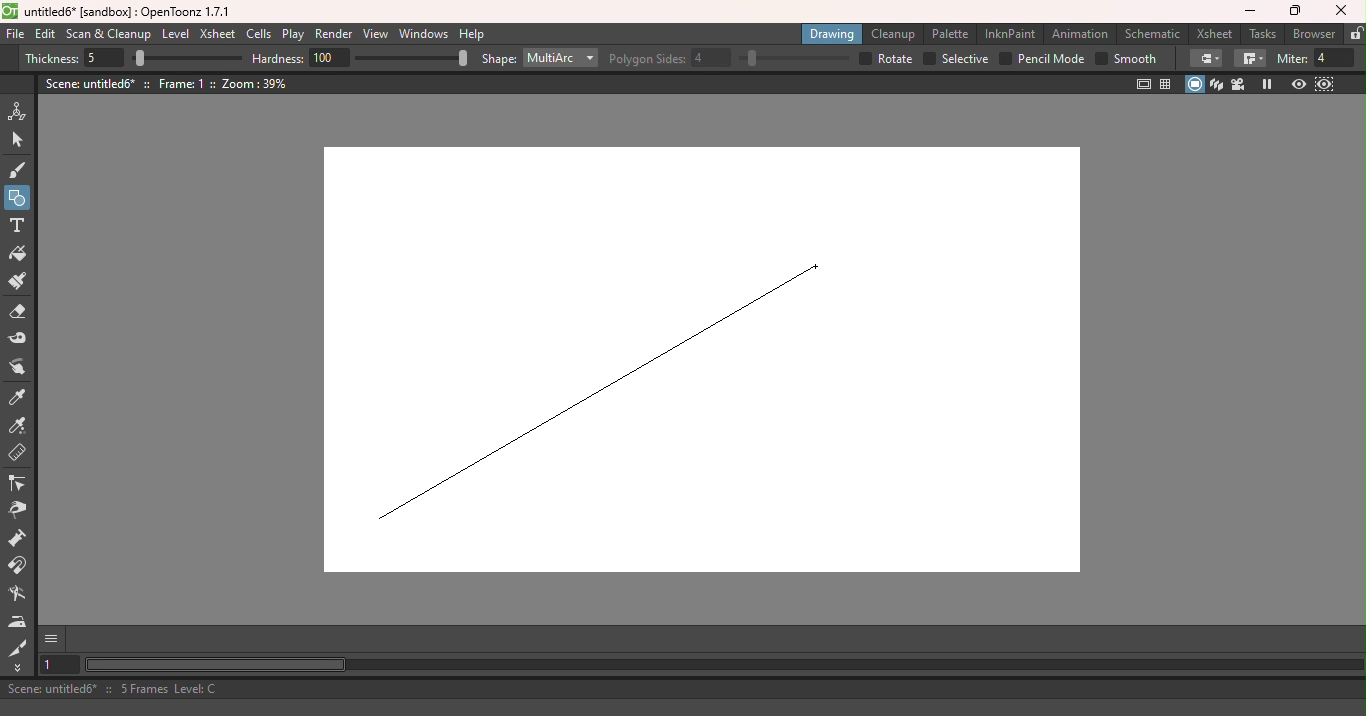  Describe the element at coordinates (832, 34) in the screenshot. I see `Drawing` at that location.